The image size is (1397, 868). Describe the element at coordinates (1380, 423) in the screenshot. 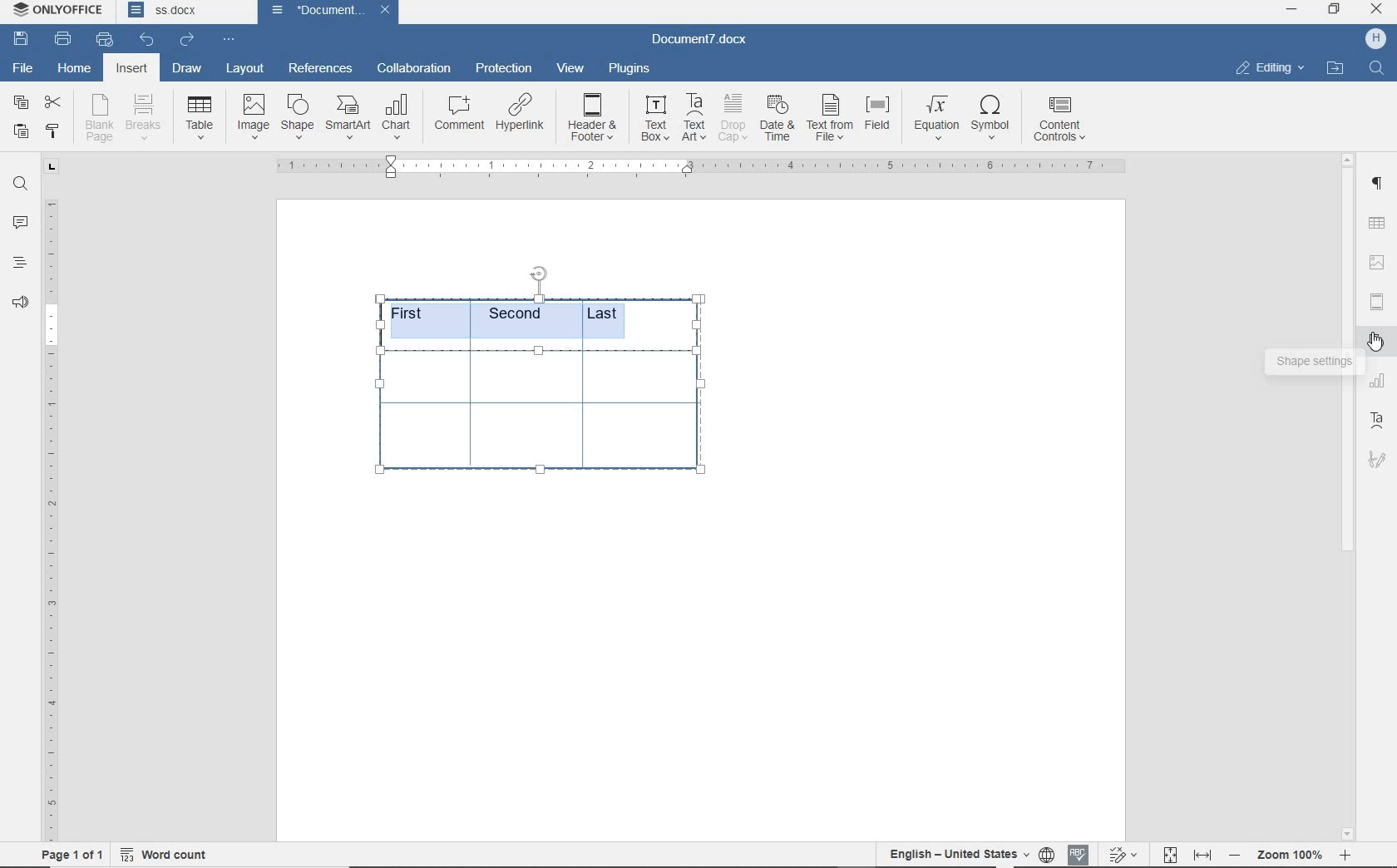

I see `text art` at that location.